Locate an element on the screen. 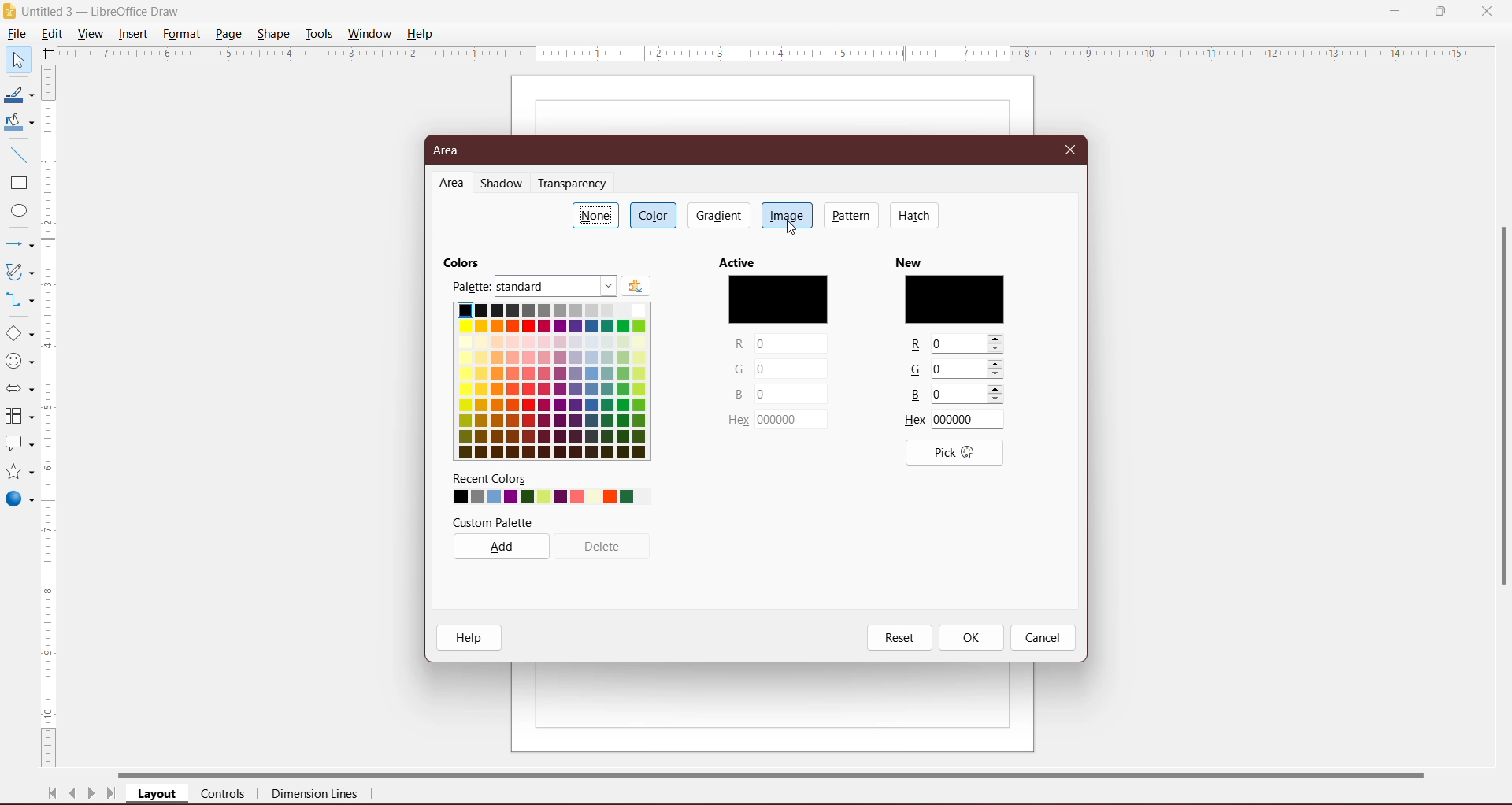 The width and height of the screenshot is (1512, 805). recent colors is located at coordinates (543, 497).